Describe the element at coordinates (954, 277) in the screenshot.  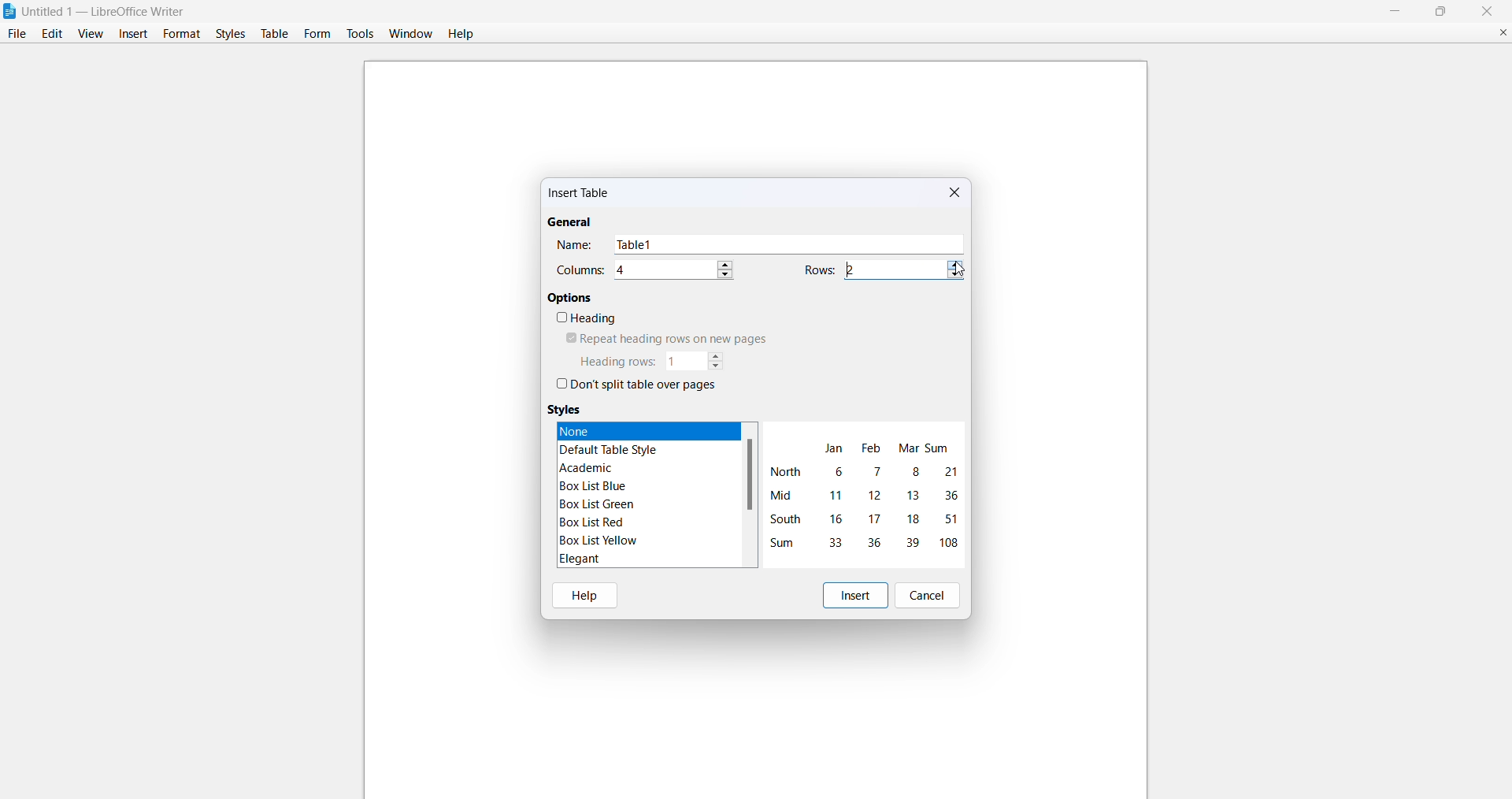
I see `decrease rows` at that location.